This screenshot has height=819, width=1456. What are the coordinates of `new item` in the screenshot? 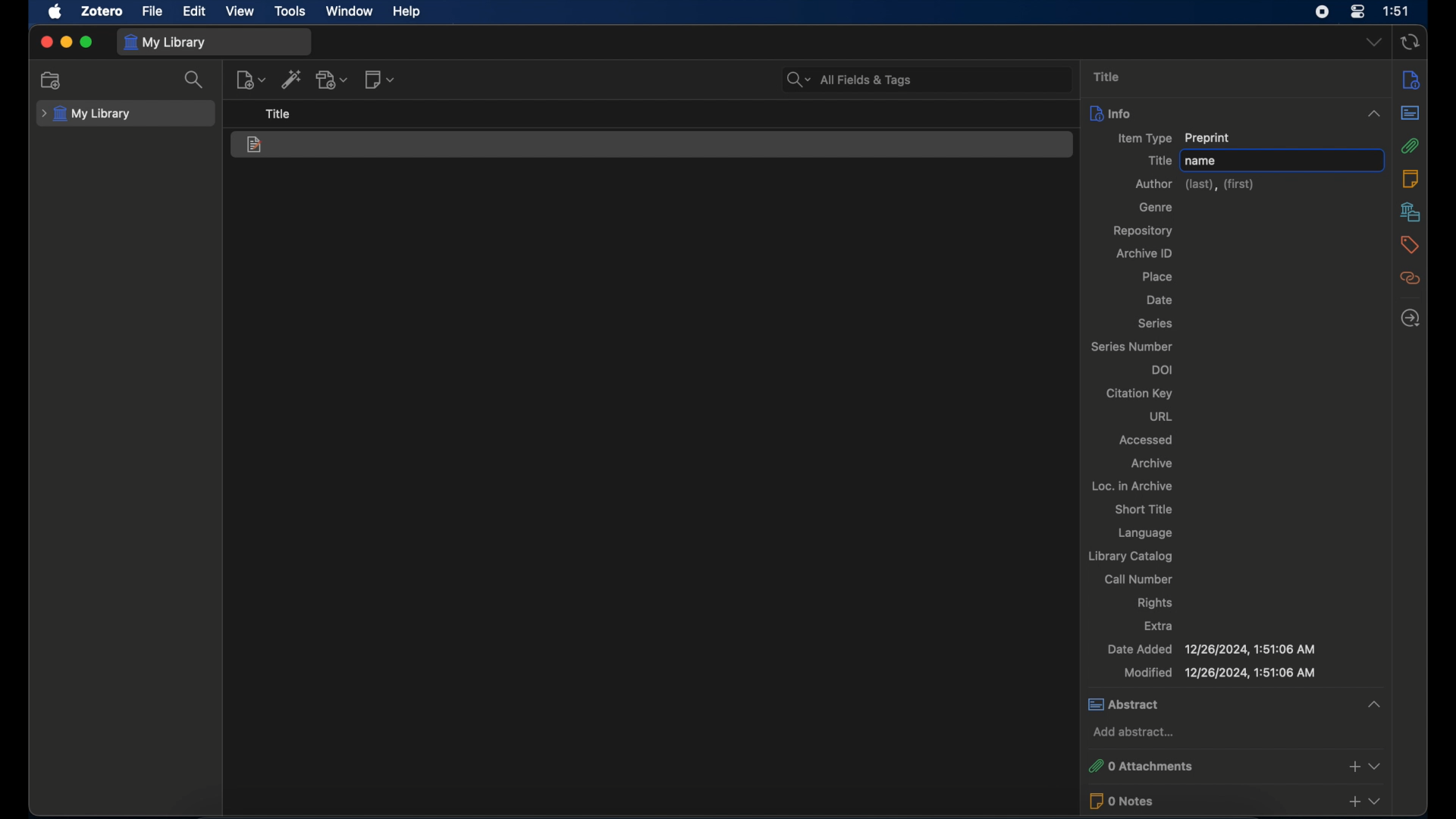 It's located at (250, 79).